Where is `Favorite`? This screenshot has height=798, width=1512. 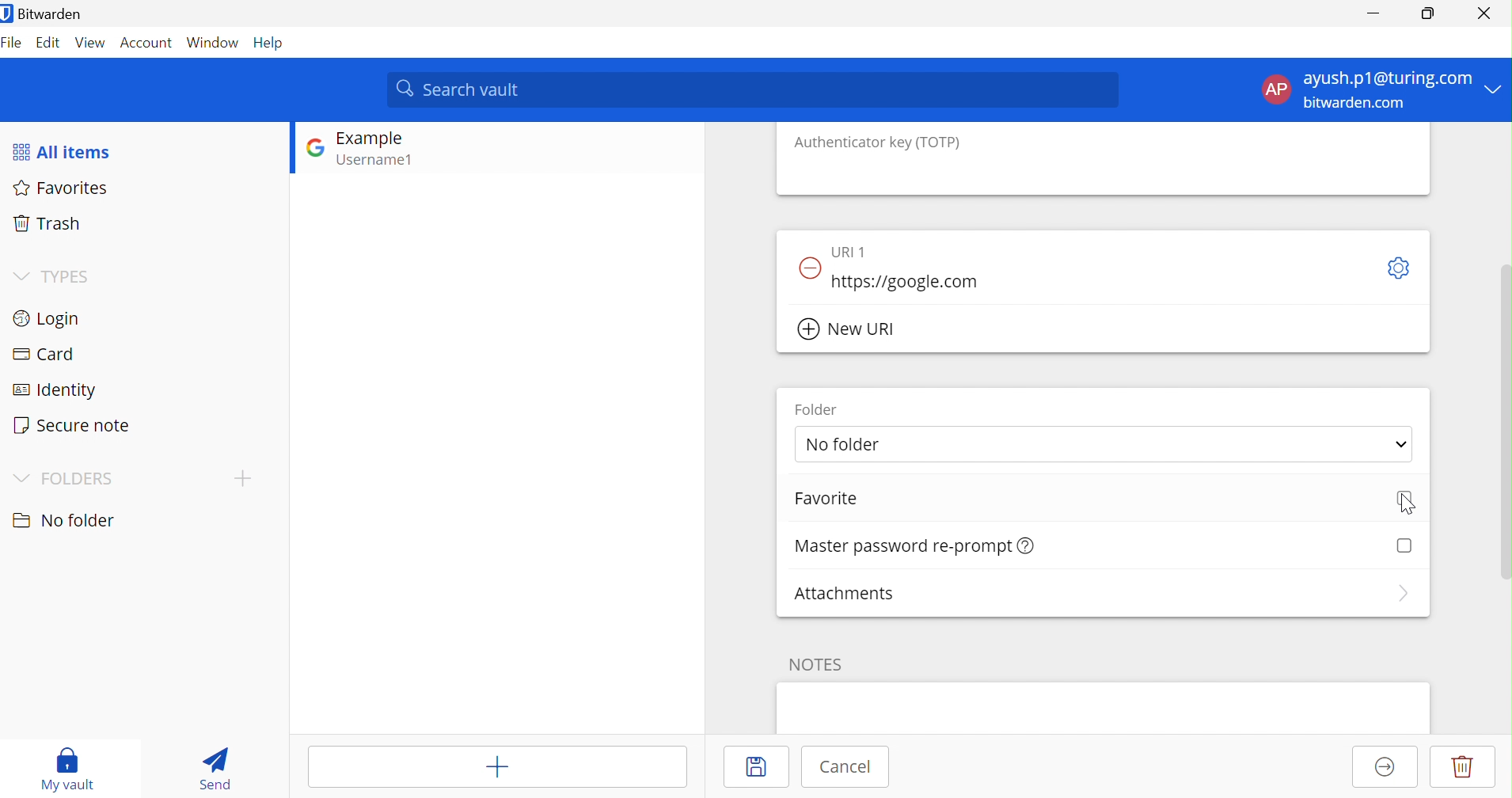 Favorite is located at coordinates (826, 498).